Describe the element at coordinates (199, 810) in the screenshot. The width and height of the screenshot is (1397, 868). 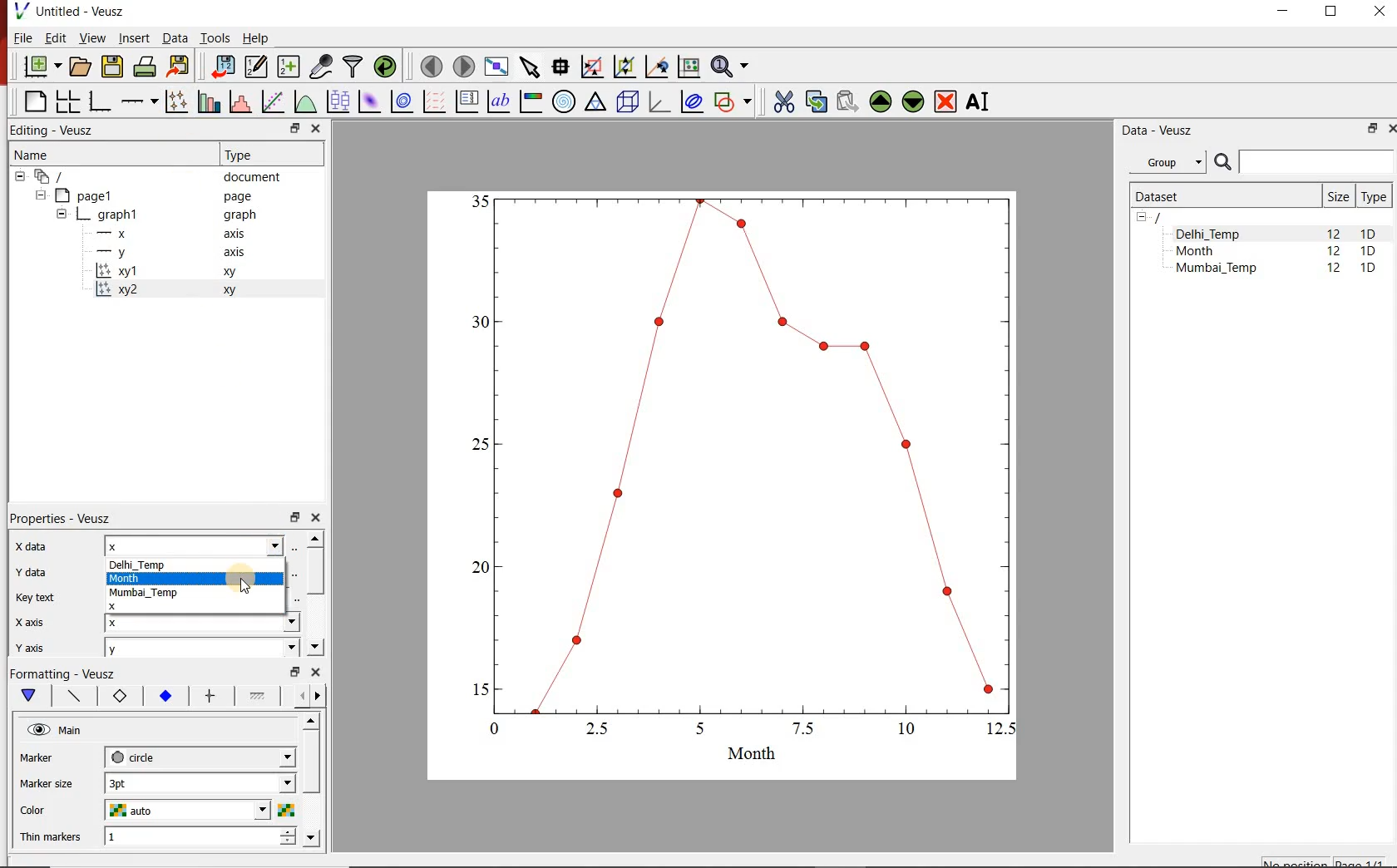
I see `auto` at that location.